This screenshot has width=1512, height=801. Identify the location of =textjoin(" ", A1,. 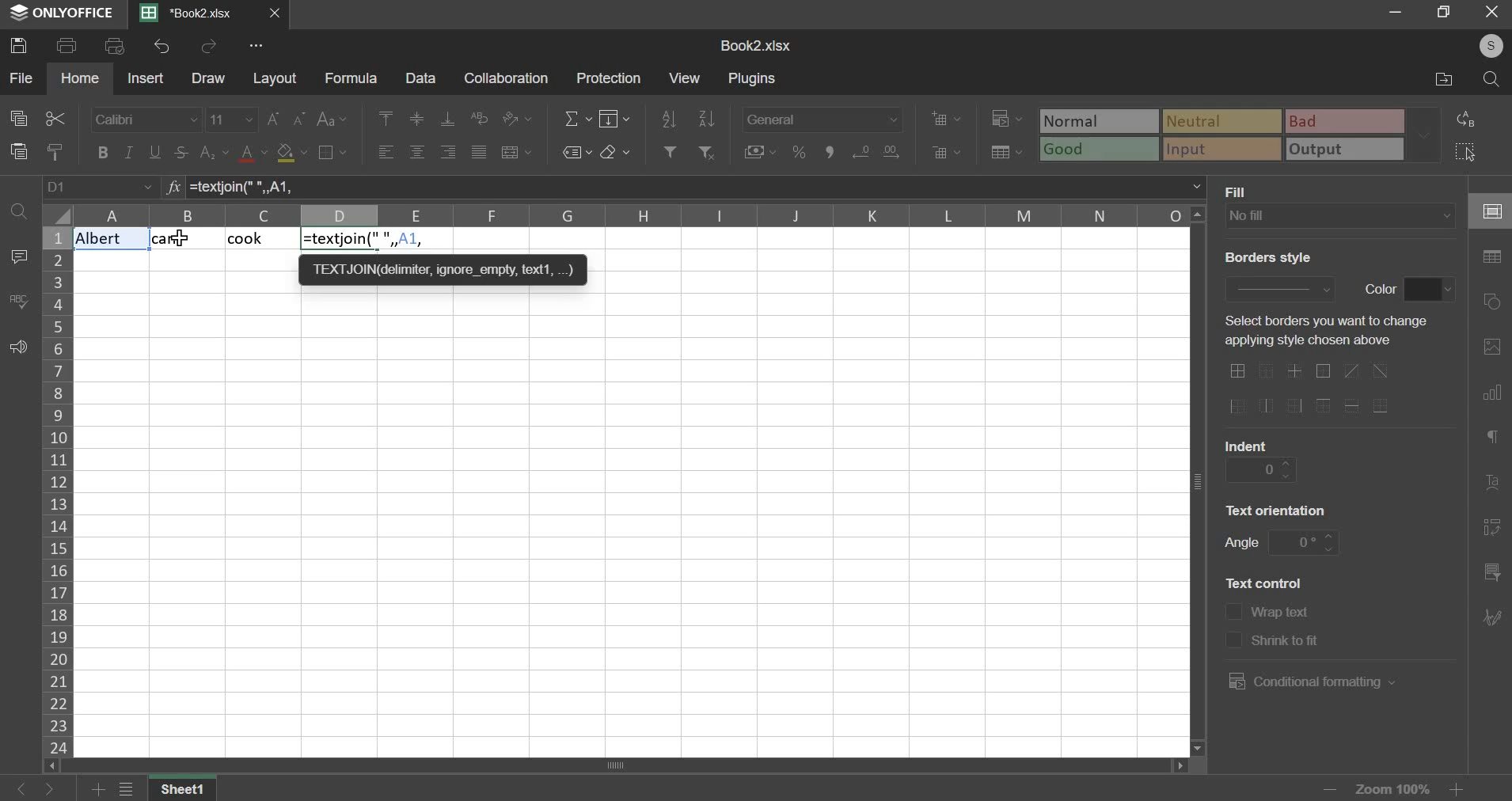
(697, 187).